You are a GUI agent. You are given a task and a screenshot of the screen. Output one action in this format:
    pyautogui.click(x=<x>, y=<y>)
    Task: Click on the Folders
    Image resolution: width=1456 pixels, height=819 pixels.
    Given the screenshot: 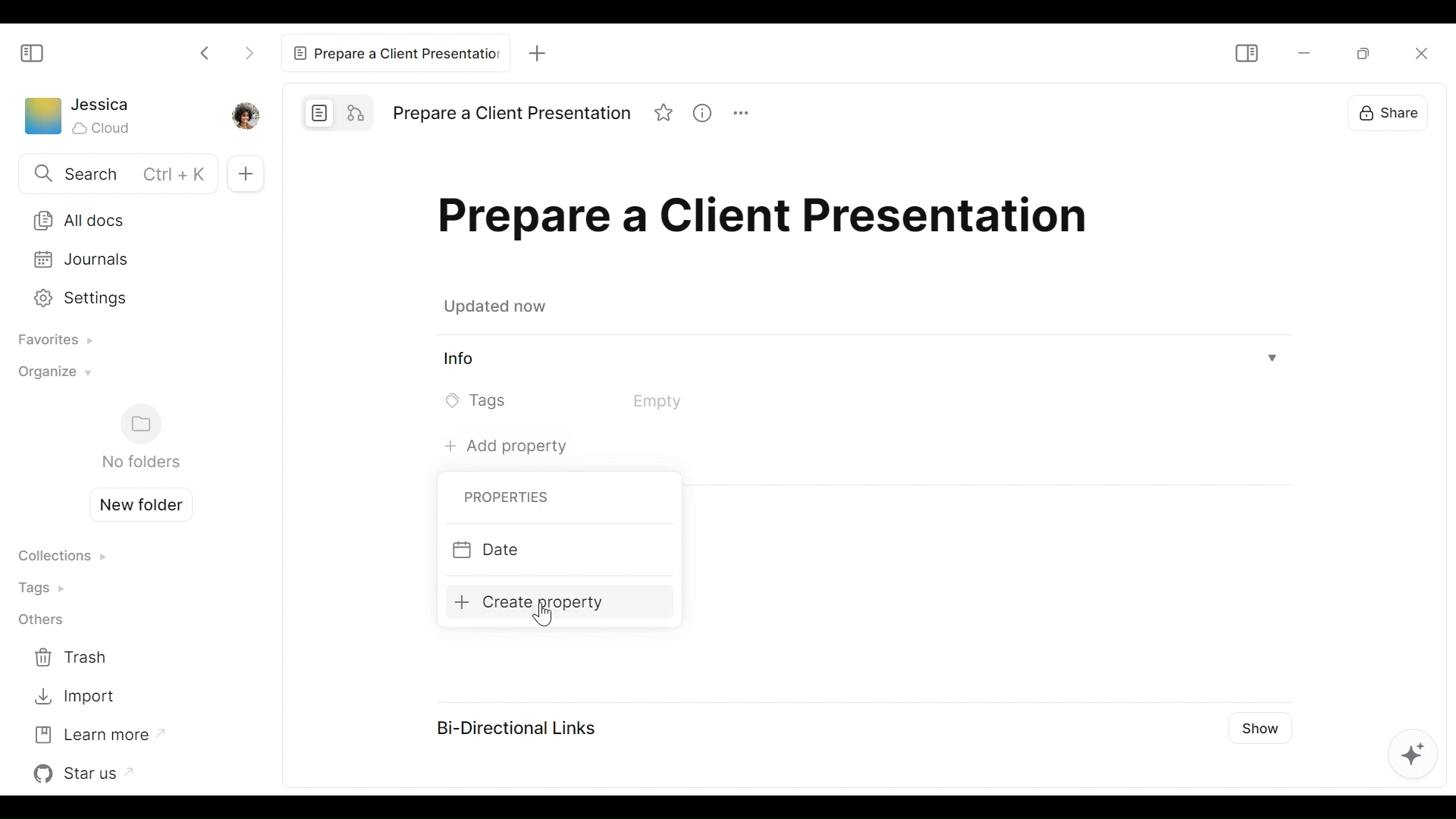 What is the action you would take?
    pyautogui.click(x=140, y=438)
    